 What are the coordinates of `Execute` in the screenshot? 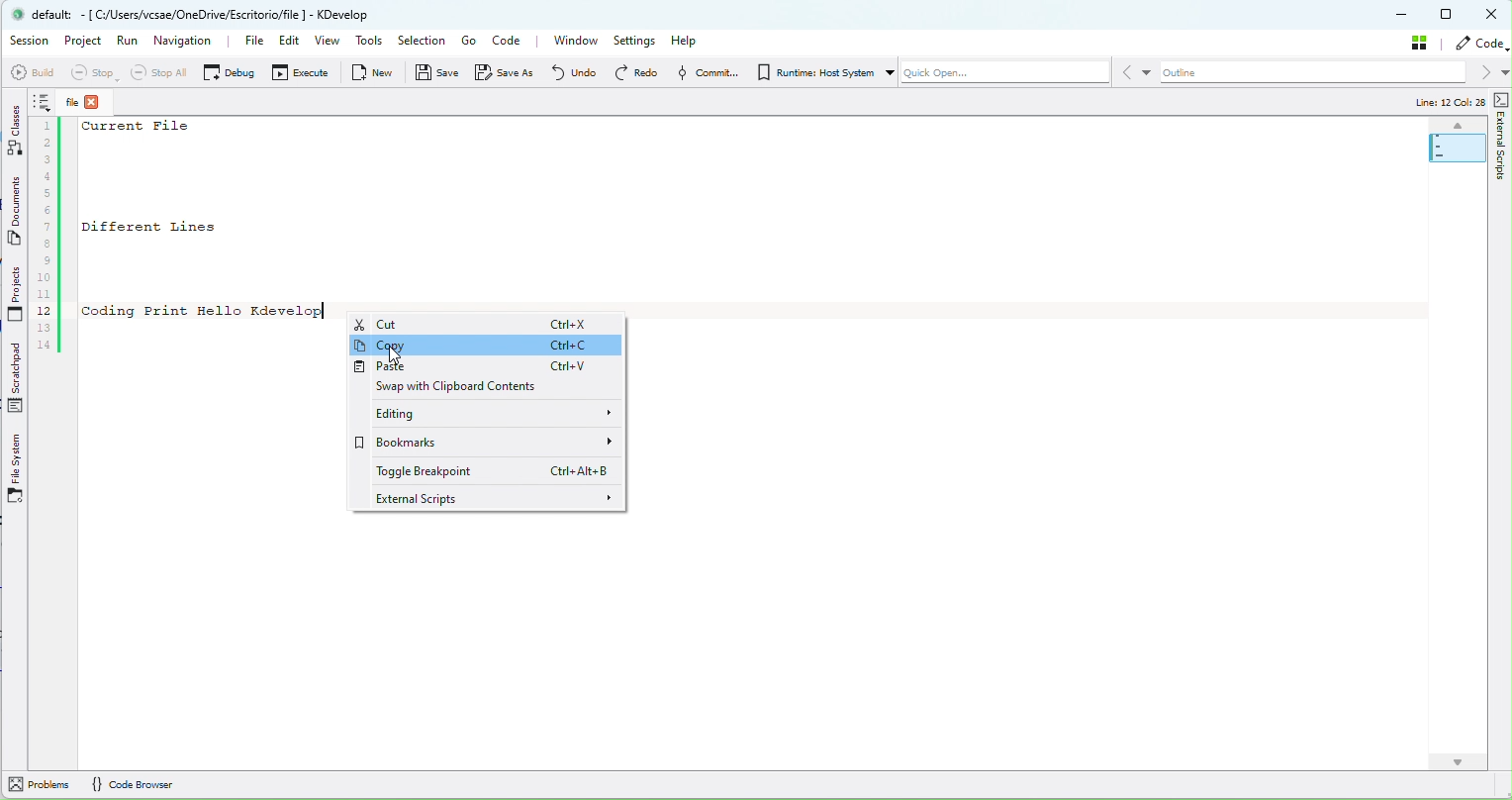 It's located at (303, 75).